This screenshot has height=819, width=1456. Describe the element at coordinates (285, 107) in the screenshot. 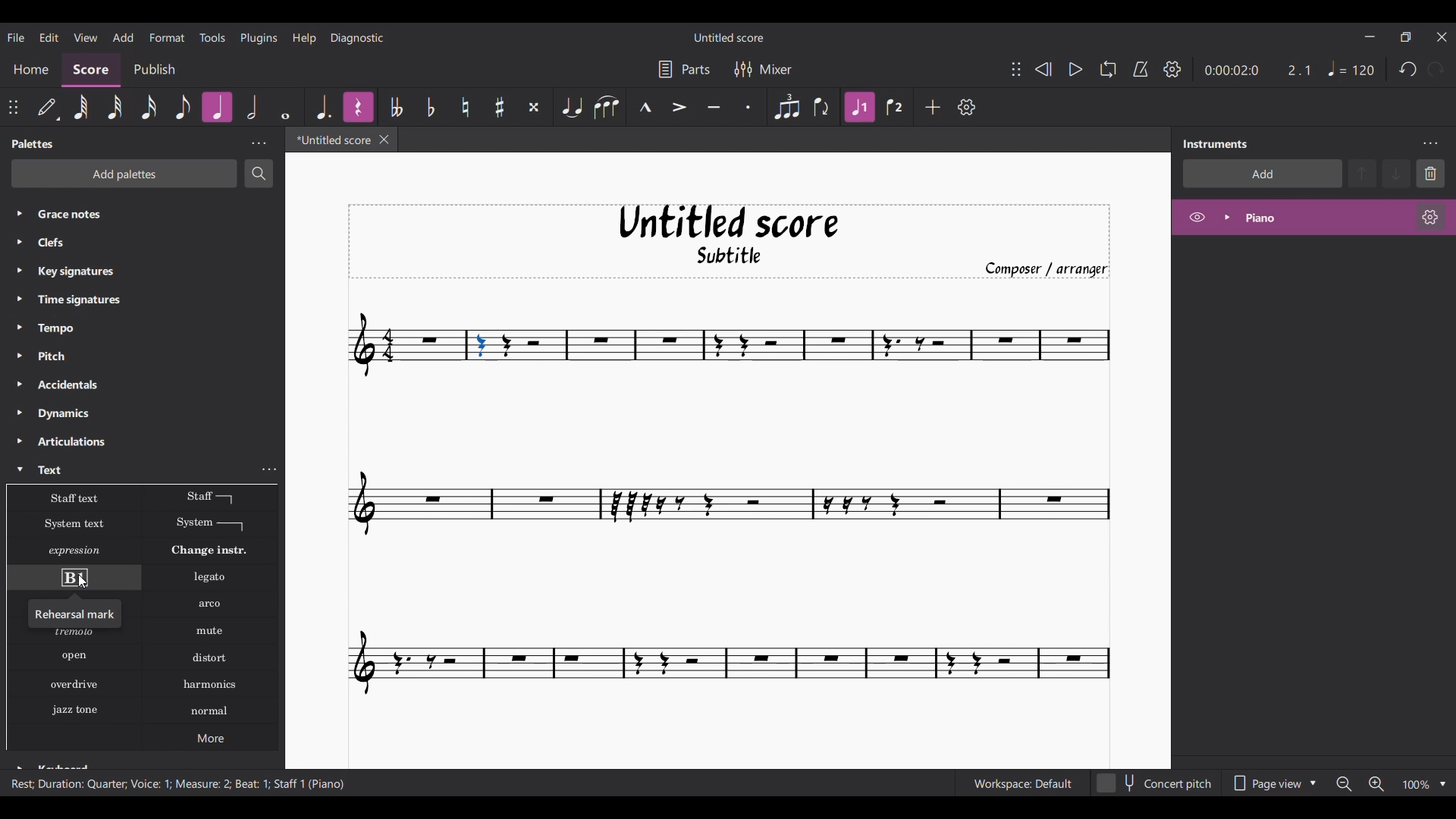

I see `Whole note` at that location.